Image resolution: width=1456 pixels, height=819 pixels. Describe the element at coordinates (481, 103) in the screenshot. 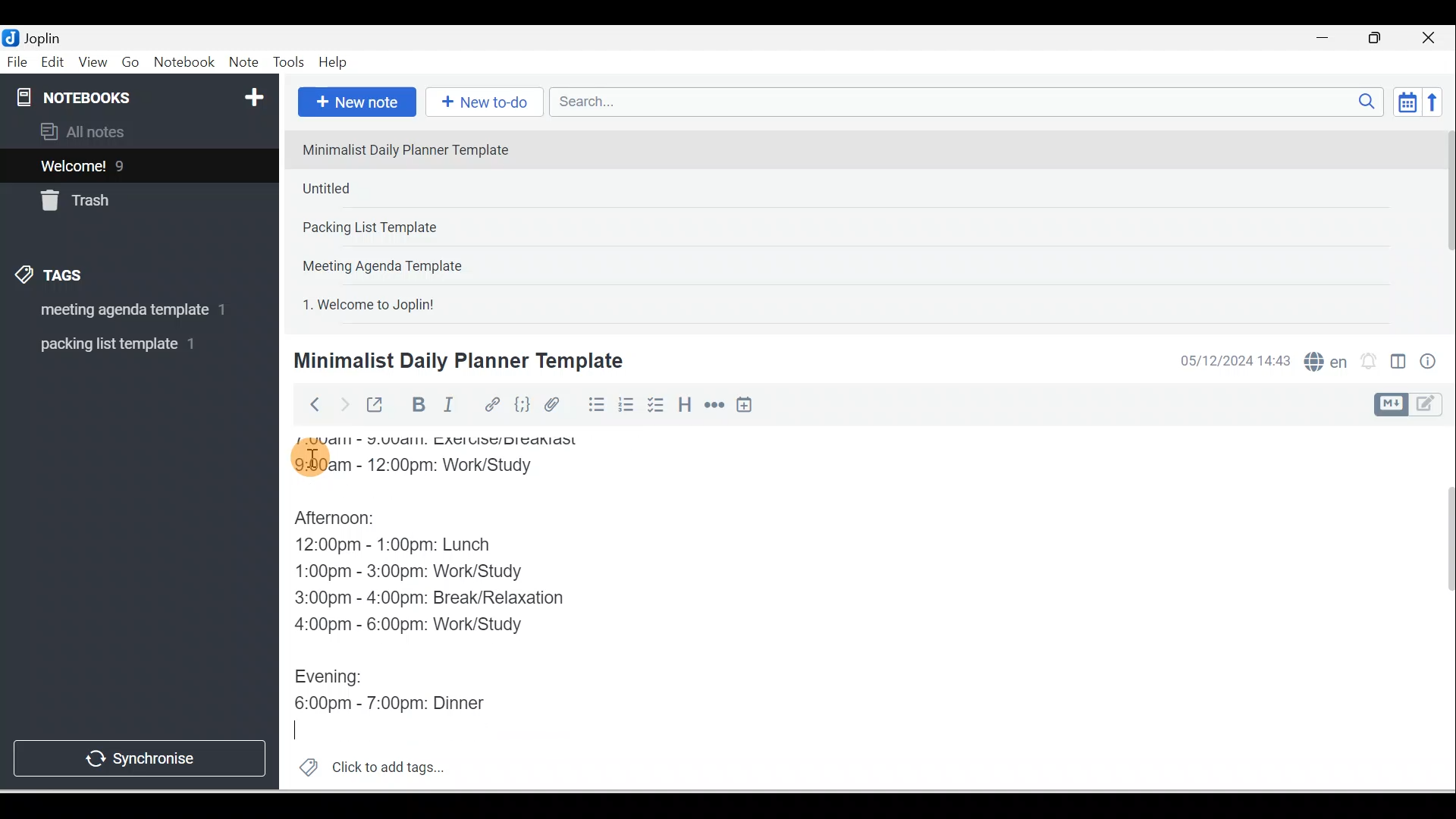

I see `New to-do` at that location.